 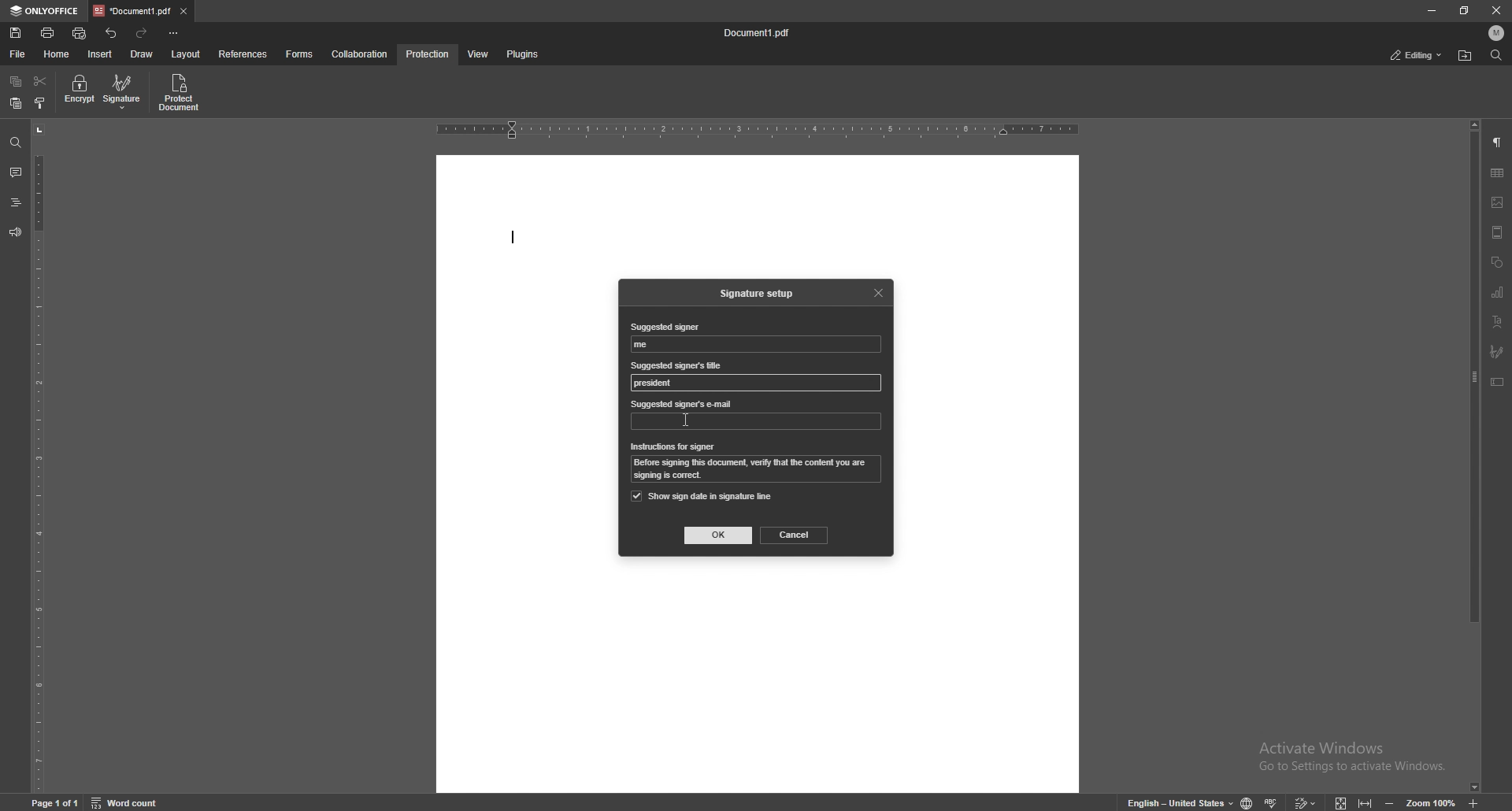 What do you see at coordinates (1273, 799) in the screenshot?
I see `spell check` at bounding box center [1273, 799].